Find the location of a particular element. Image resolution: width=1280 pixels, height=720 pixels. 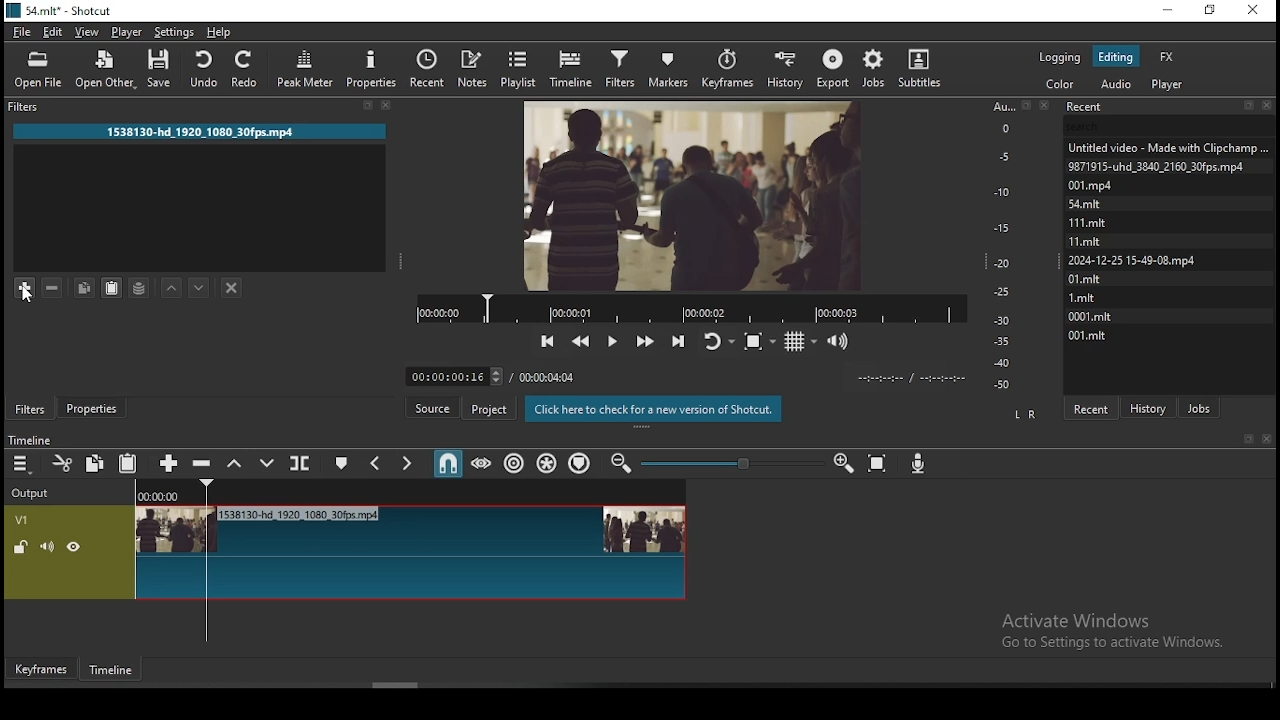

minimize is located at coordinates (1169, 11).